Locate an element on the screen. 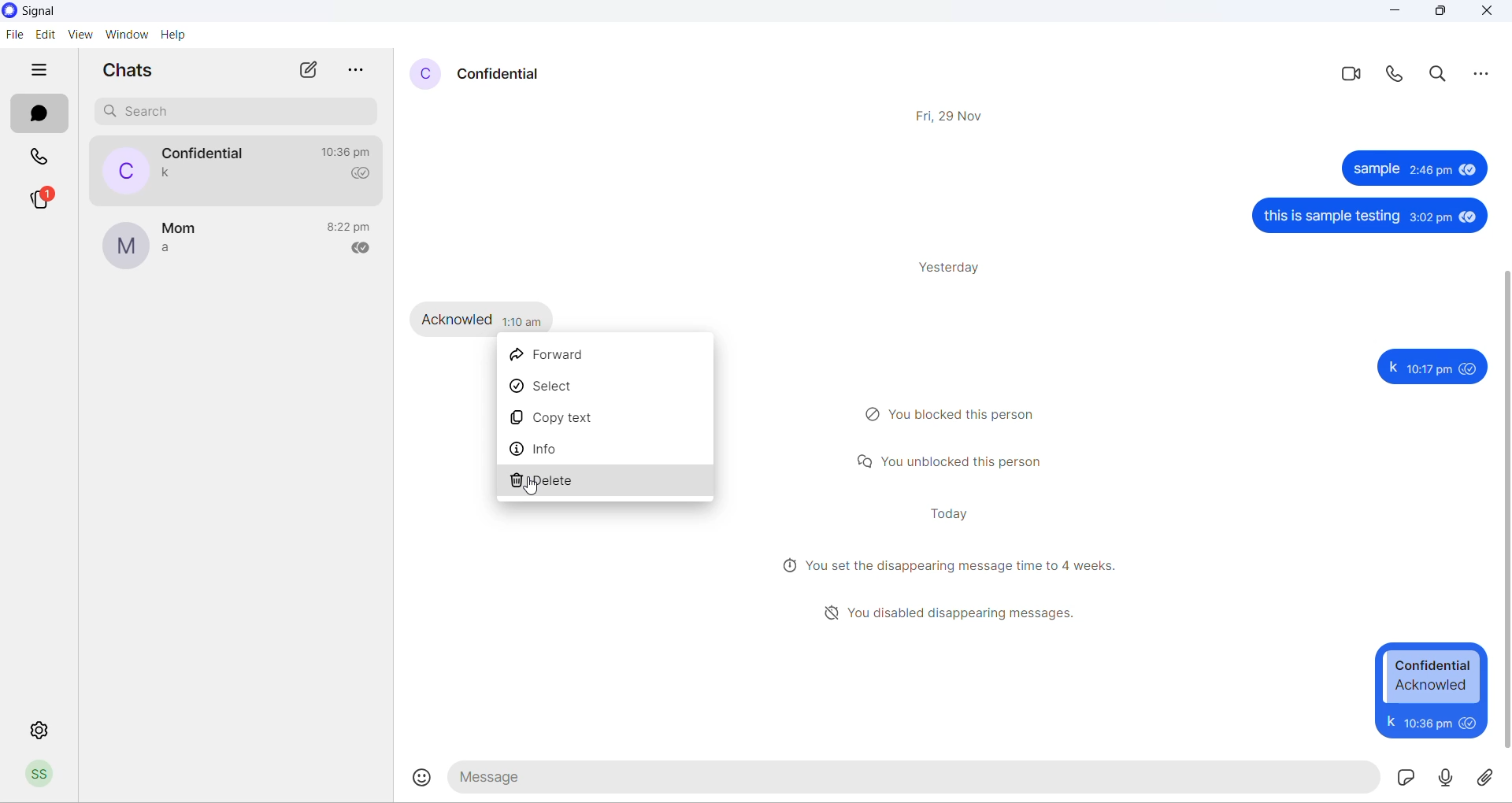 This screenshot has width=1512, height=803. scrollbar is located at coordinates (1503, 509).